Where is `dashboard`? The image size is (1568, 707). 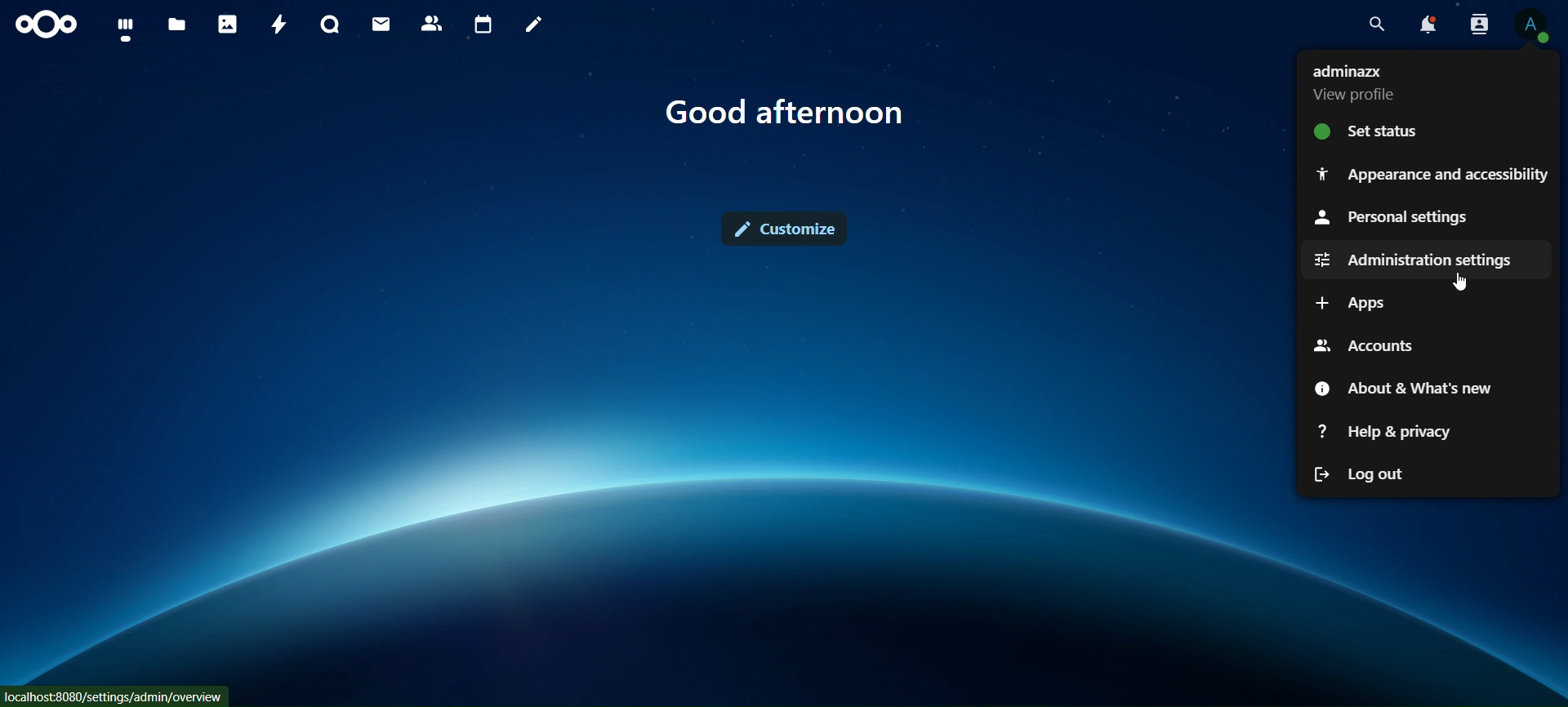 dashboard is located at coordinates (123, 31).